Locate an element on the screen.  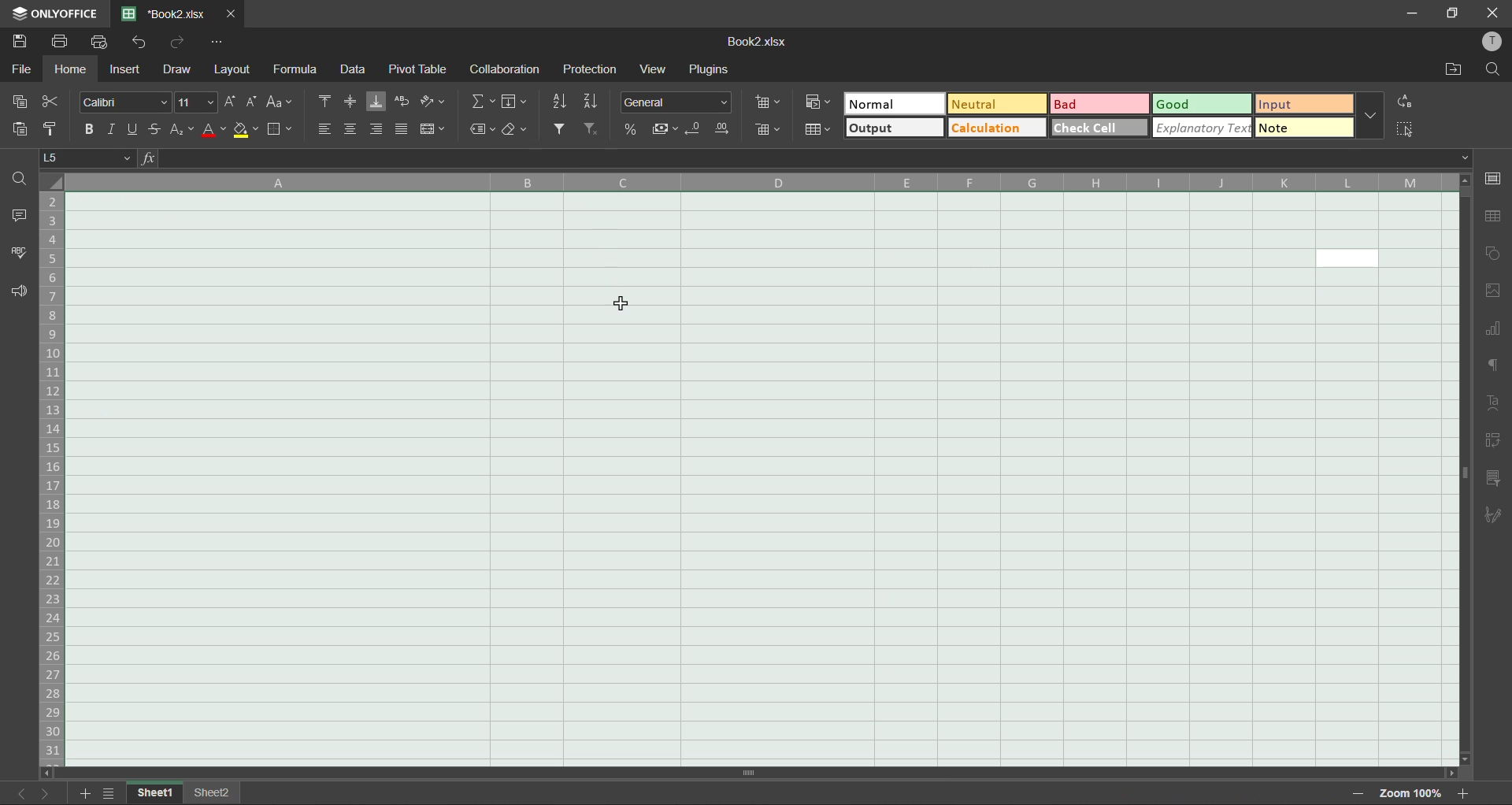
align middle is located at coordinates (350, 102).